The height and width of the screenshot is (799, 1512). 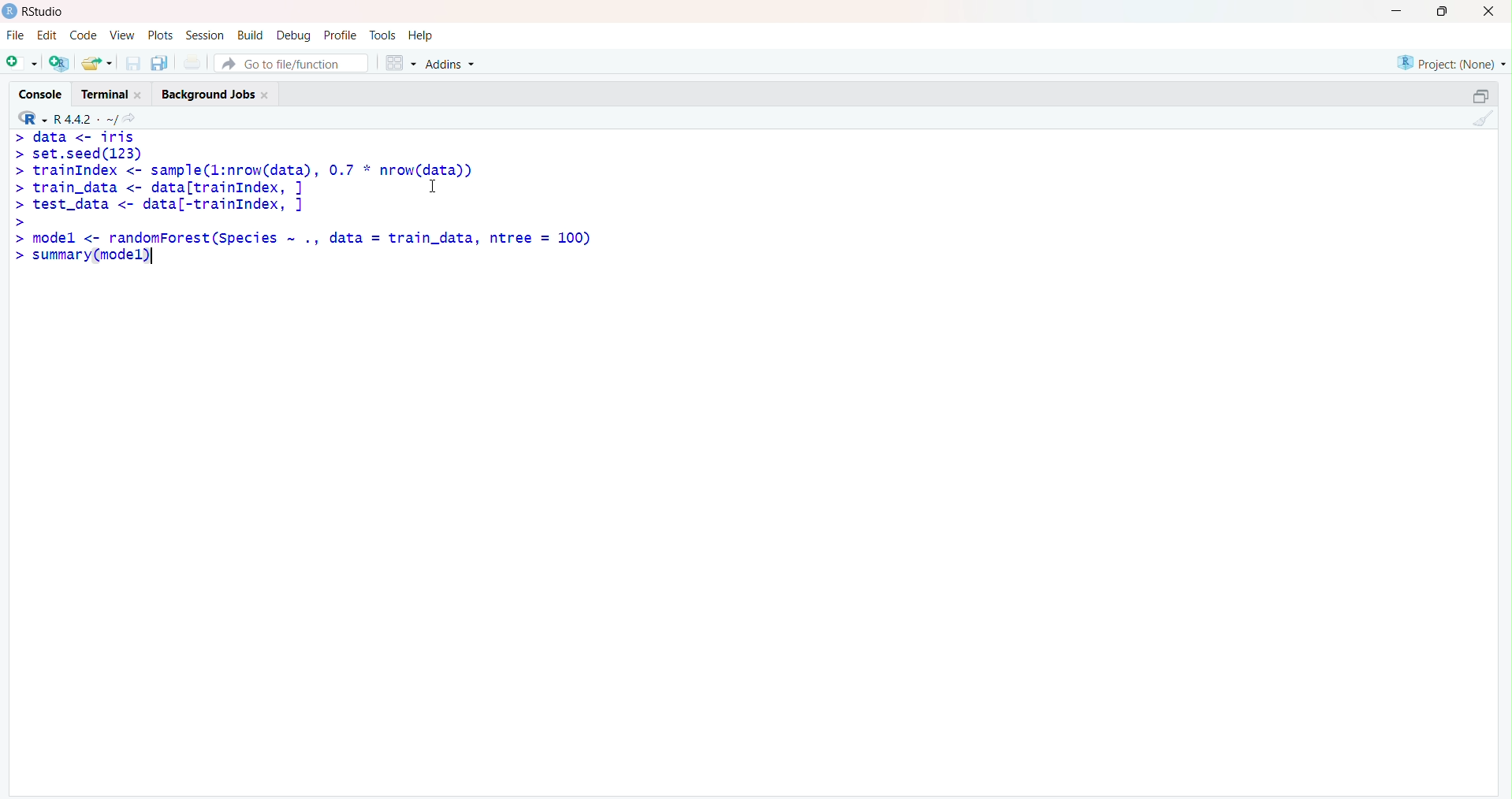 I want to click on Profile, so click(x=340, y=35).